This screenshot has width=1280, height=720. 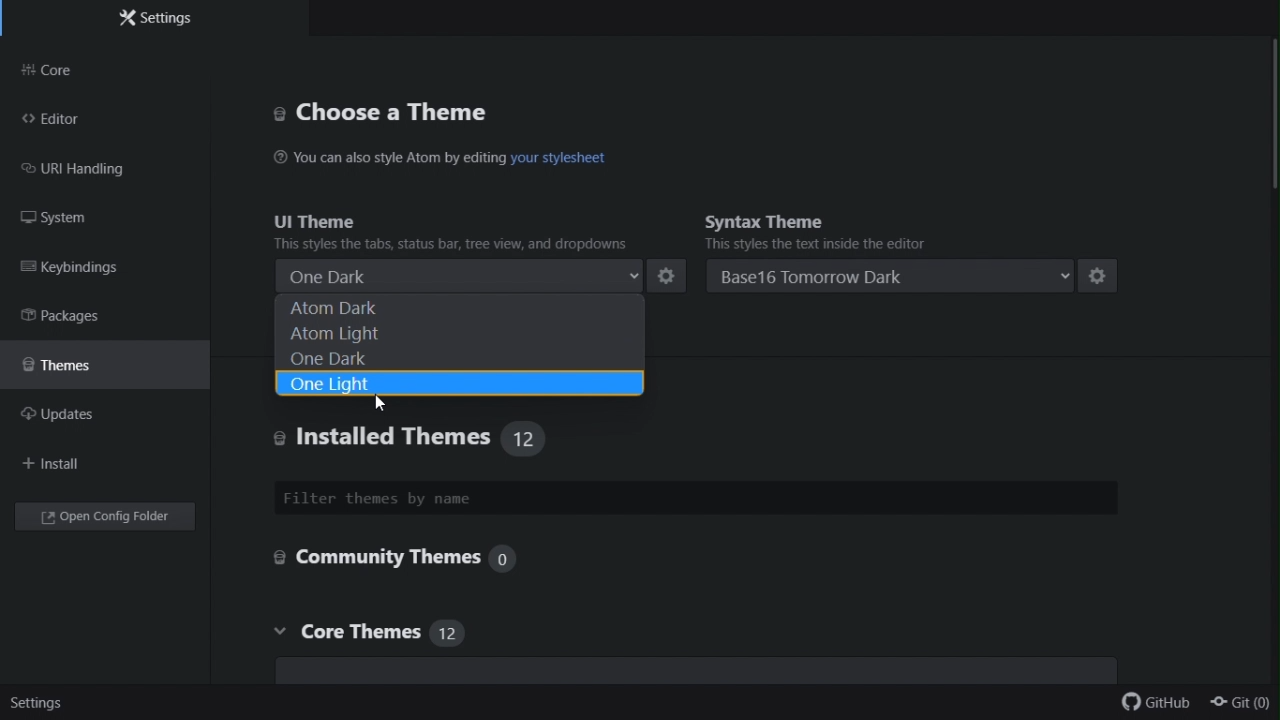 What do you see at coordinates (157, 21) in the screenshot?
I see `Settings` at bounding box center [157, 21].